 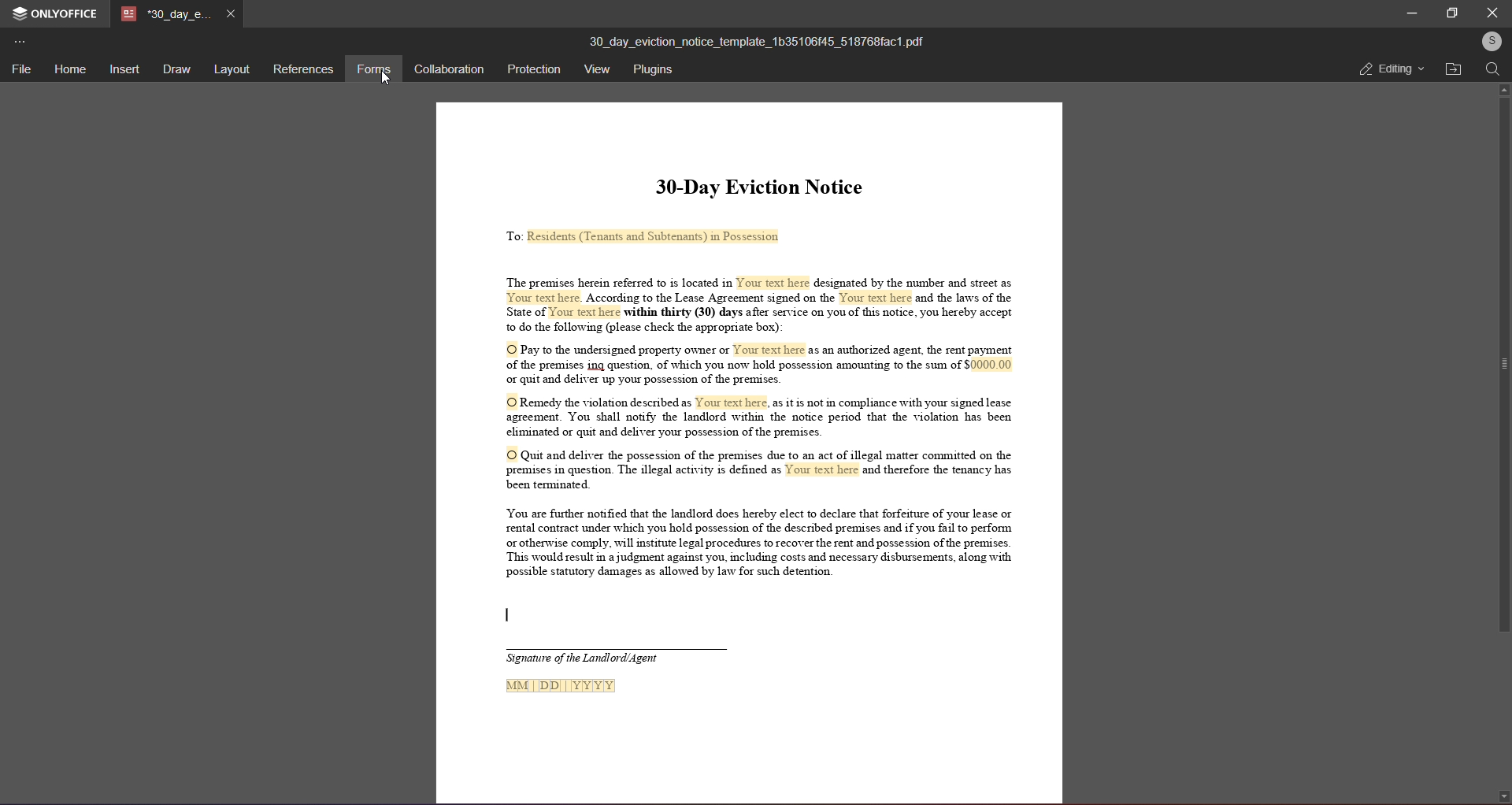 What do you see at coordinates (751, 453) in the screenshot?
I see `This is a 30 day eviction notice informing tenants that they must either pay overdue rent,correct a lease violation, or vacate the premises due to illegal activity. Failure to comply will result in legal actions.` at bounding box center [751, 453].